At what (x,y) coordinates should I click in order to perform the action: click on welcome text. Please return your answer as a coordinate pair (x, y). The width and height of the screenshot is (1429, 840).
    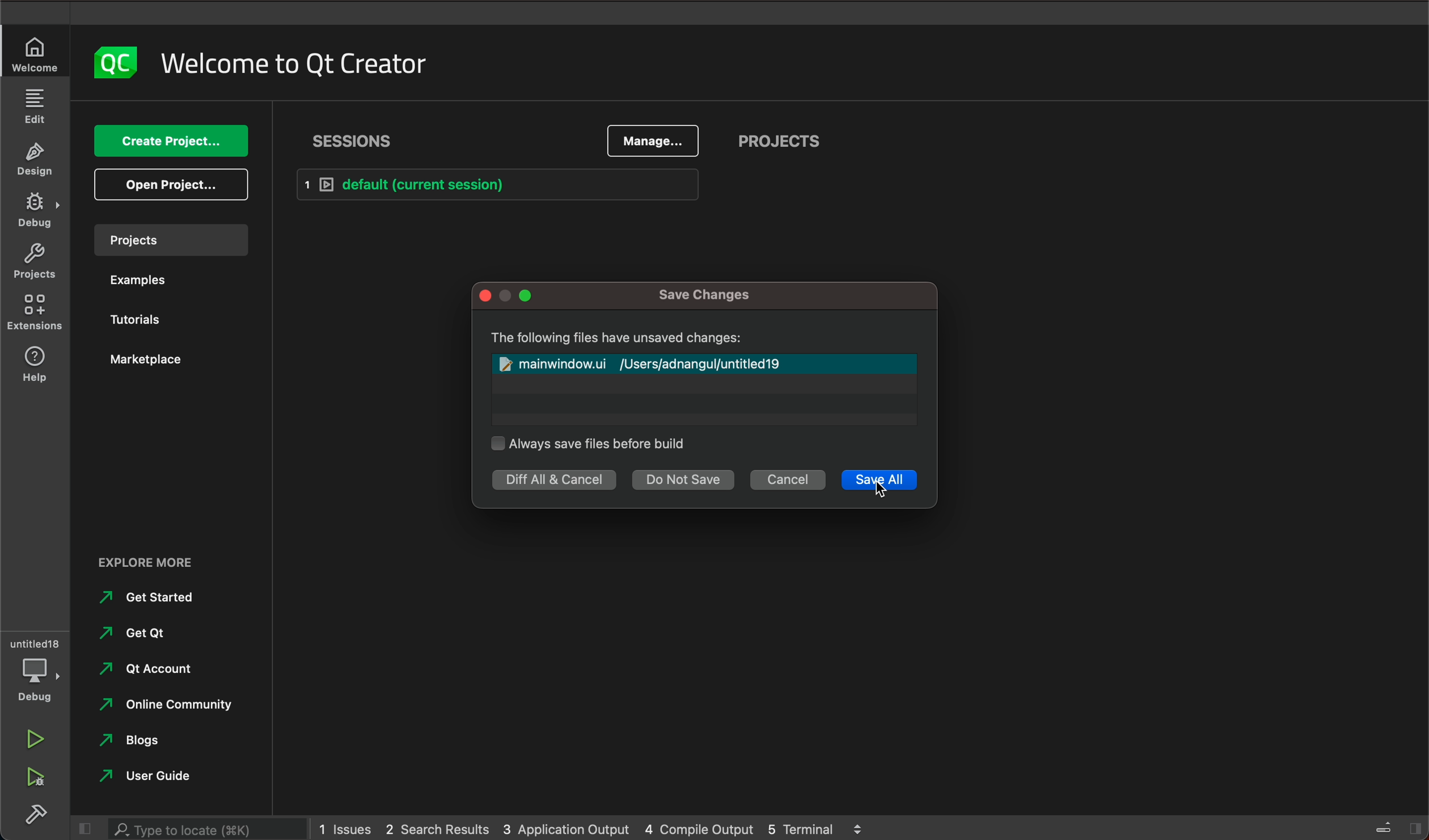
    Looking at the image, I should click on (301, 65).